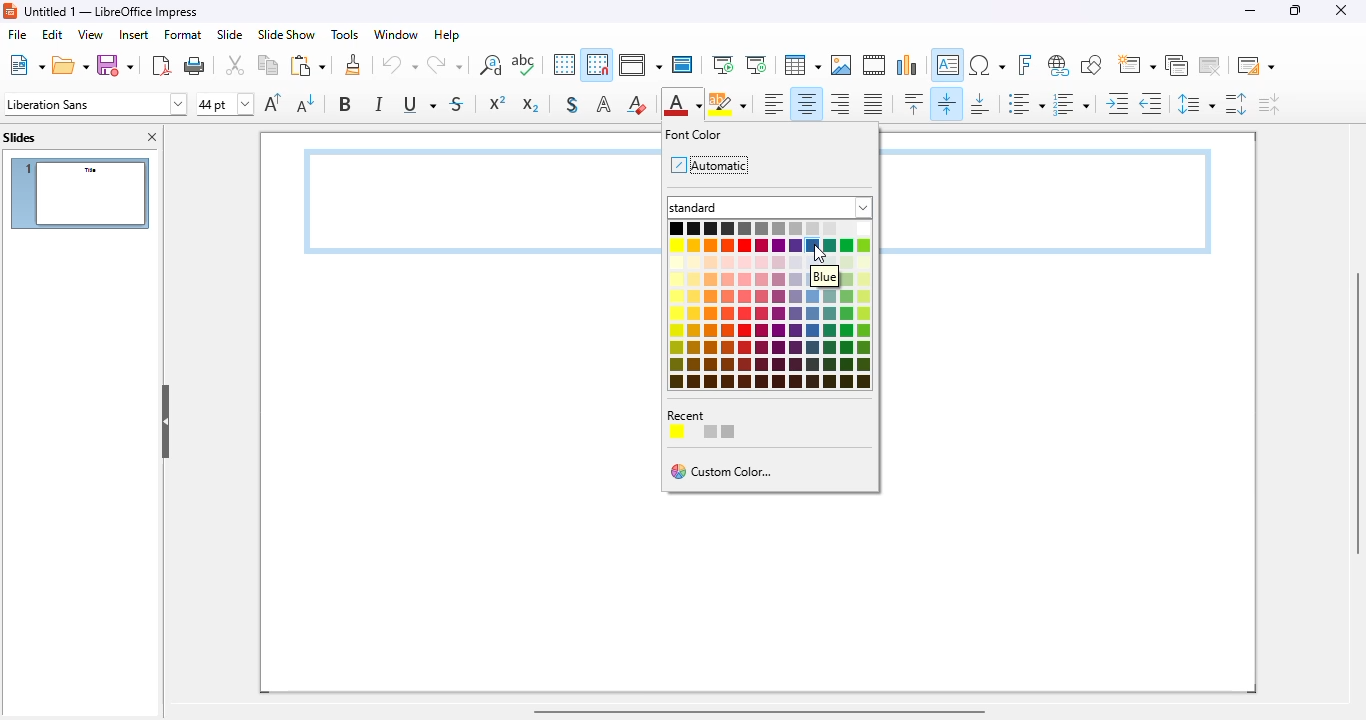  Describe the element at coordinates (1059, 66) in the screenshot. I see `insert hyperlink` at that location.